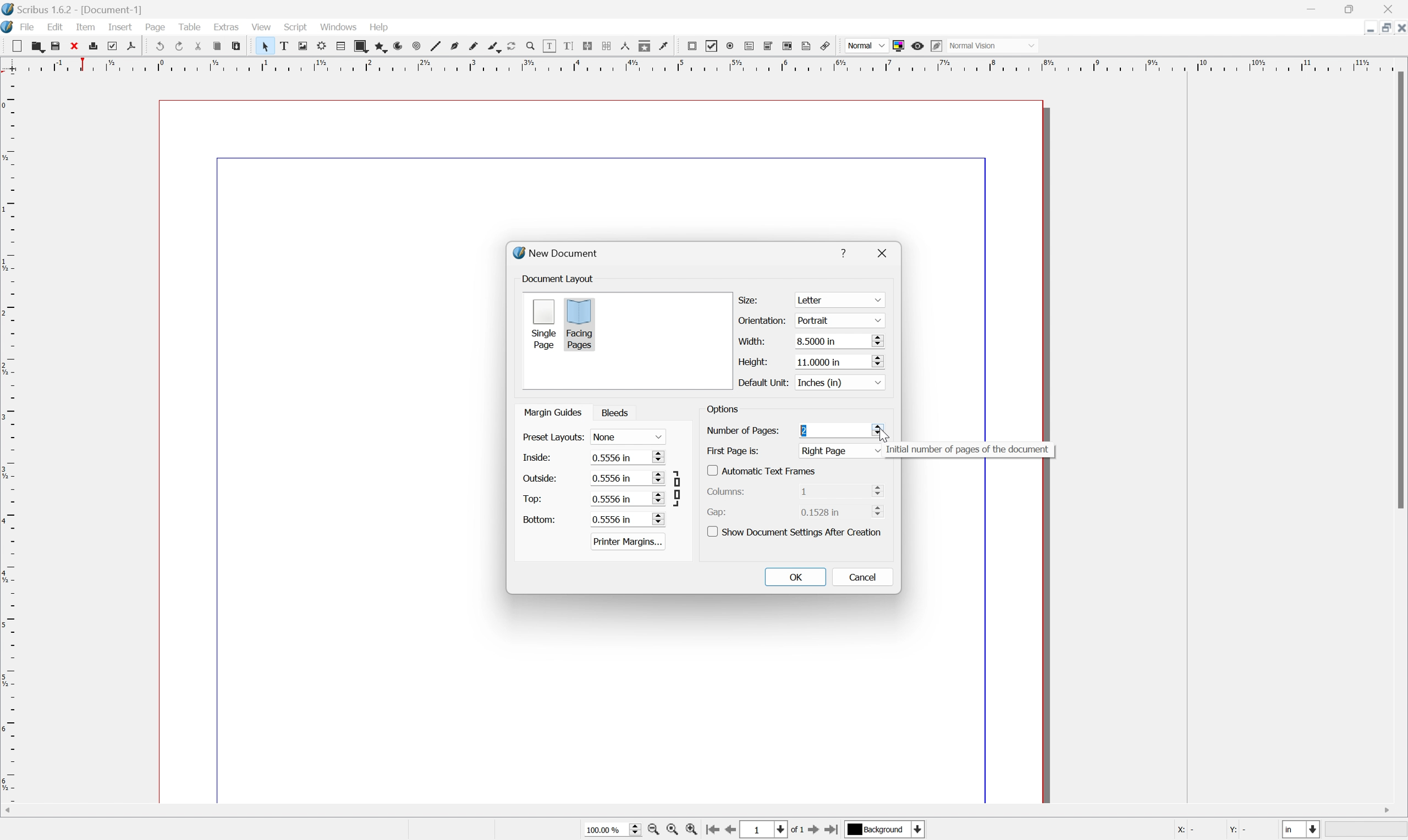  I want to click on size, so click(751, 299).